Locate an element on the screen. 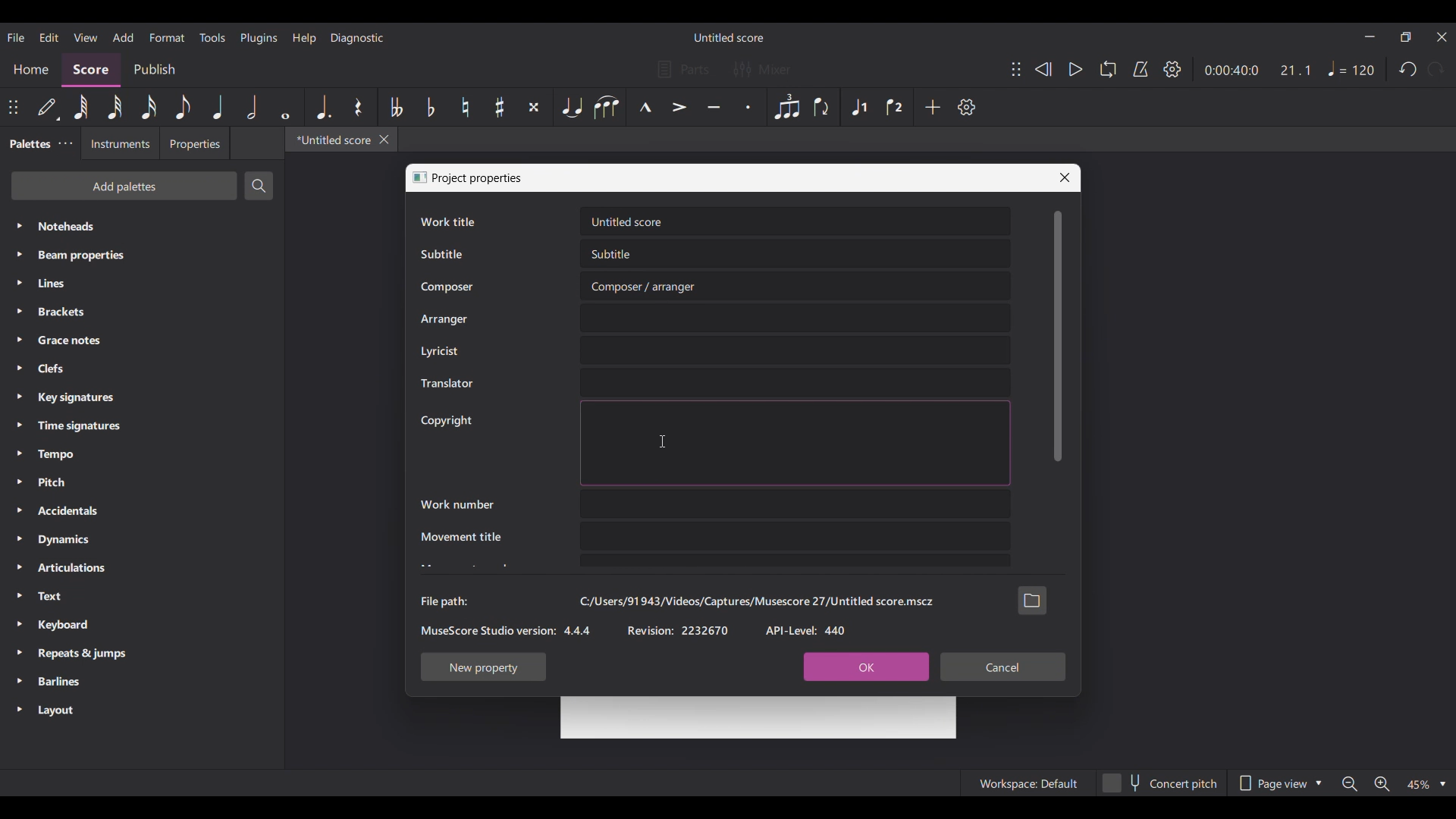  Text box for Subtitle is located at coordinates (796, 254).